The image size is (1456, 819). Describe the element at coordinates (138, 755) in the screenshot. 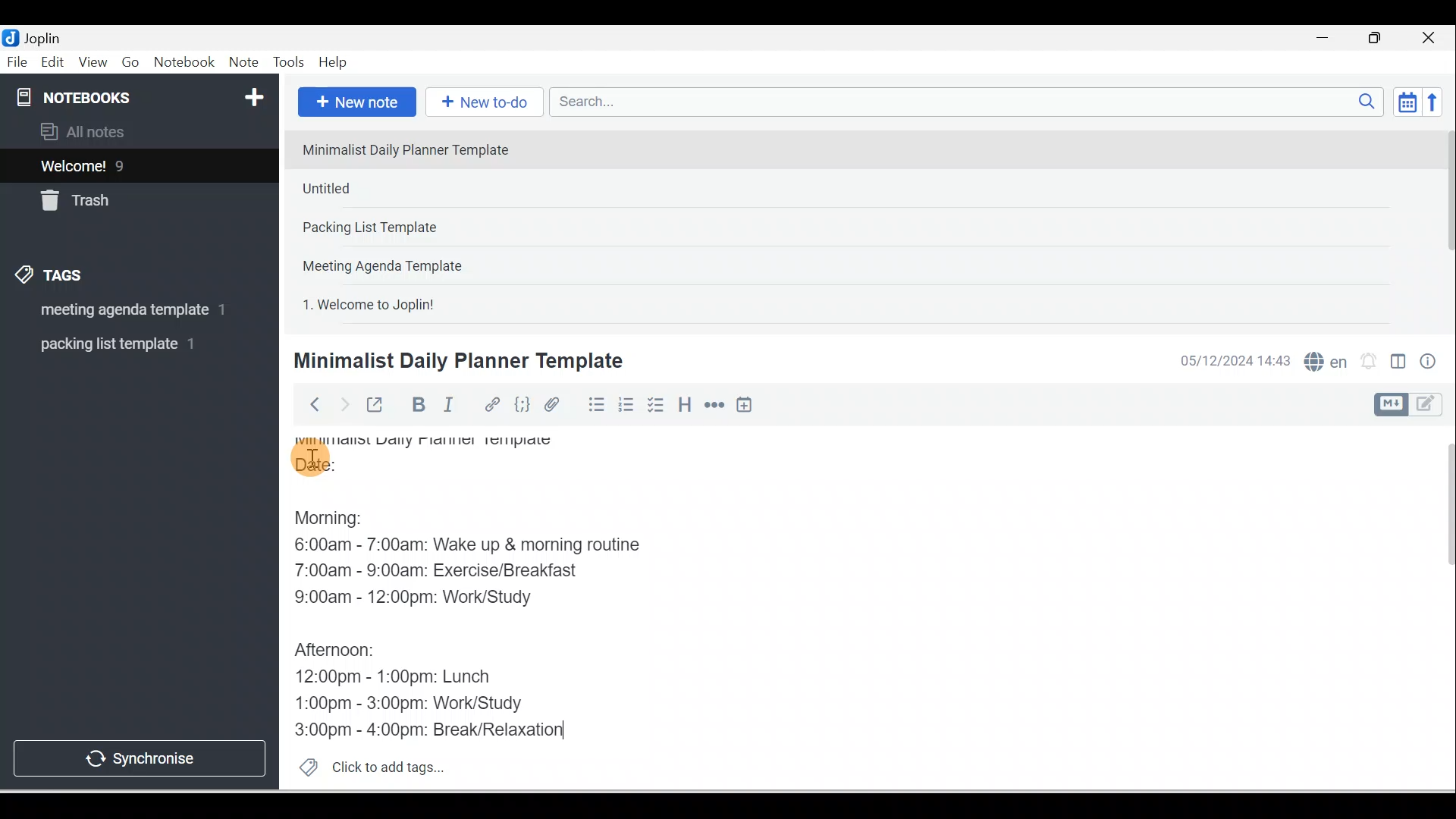

I see `Synchronise` at that location.